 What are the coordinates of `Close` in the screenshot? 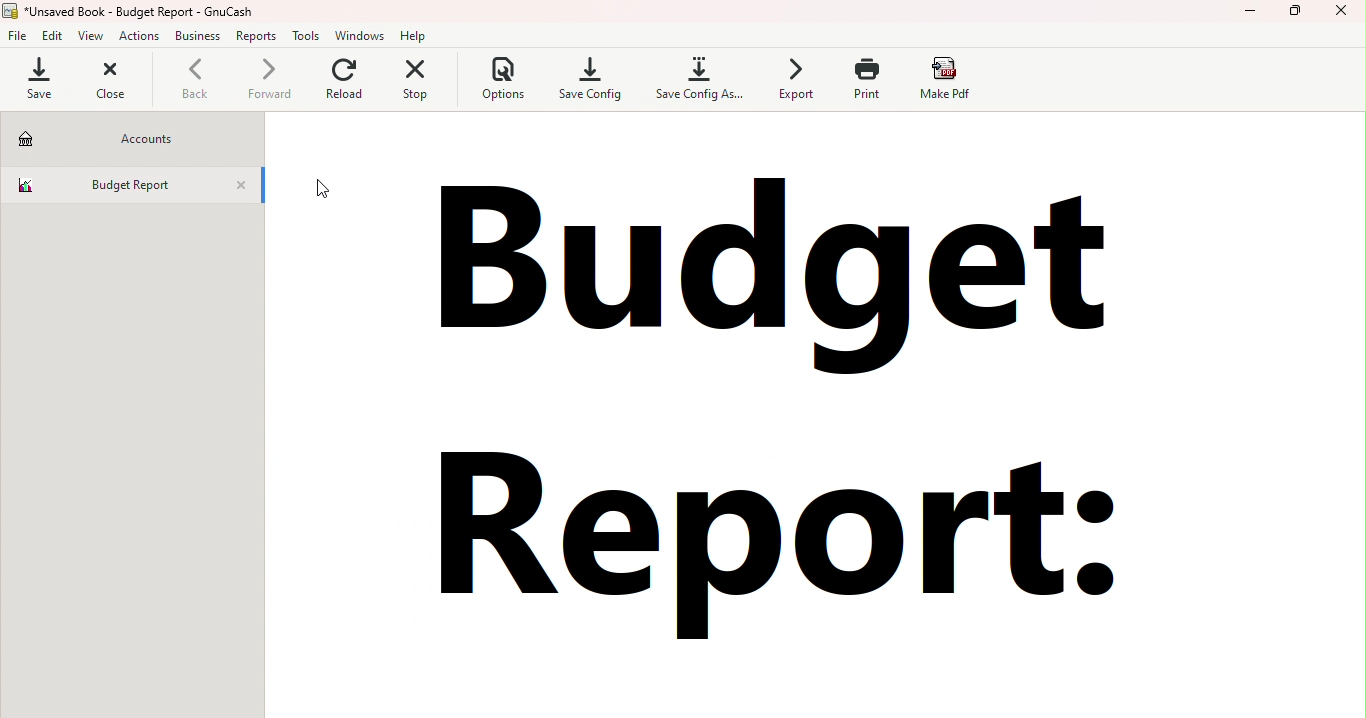 It's located at (1342, 15).